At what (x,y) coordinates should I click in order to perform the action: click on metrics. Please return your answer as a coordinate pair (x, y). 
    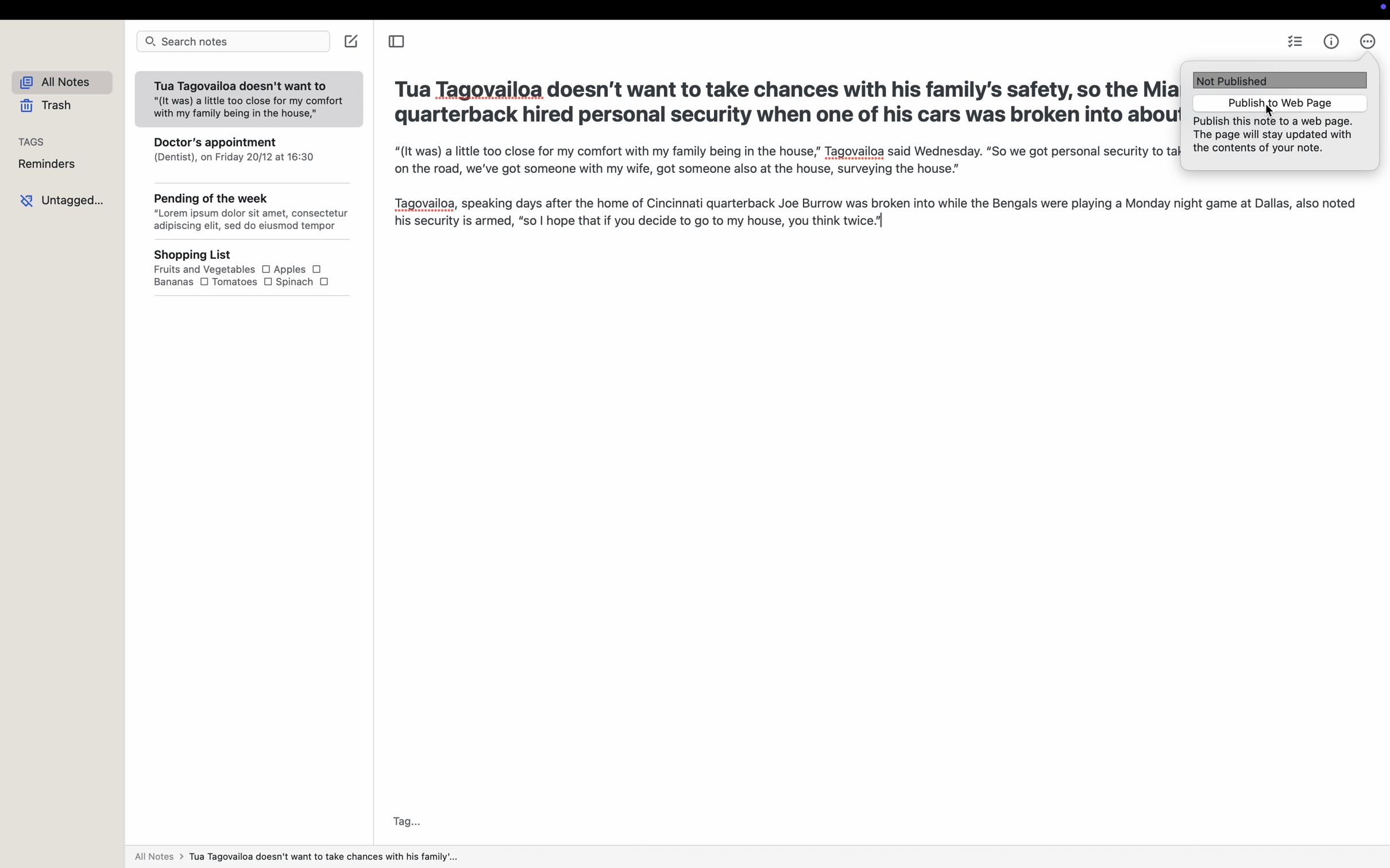
    Looking at the image, I should click on (1331, 42).